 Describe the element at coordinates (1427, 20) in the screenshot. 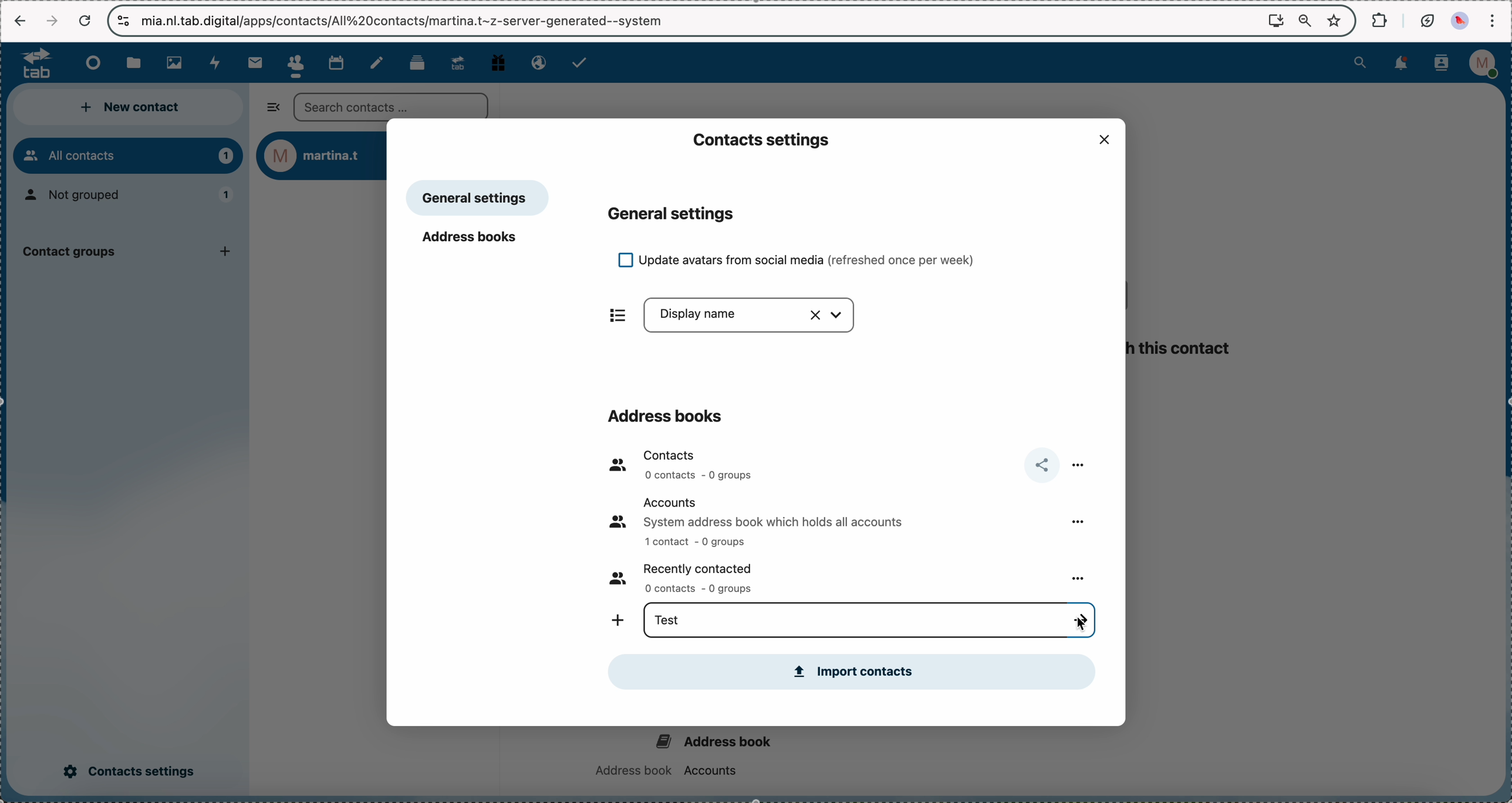

I see `battery eco` at that location.